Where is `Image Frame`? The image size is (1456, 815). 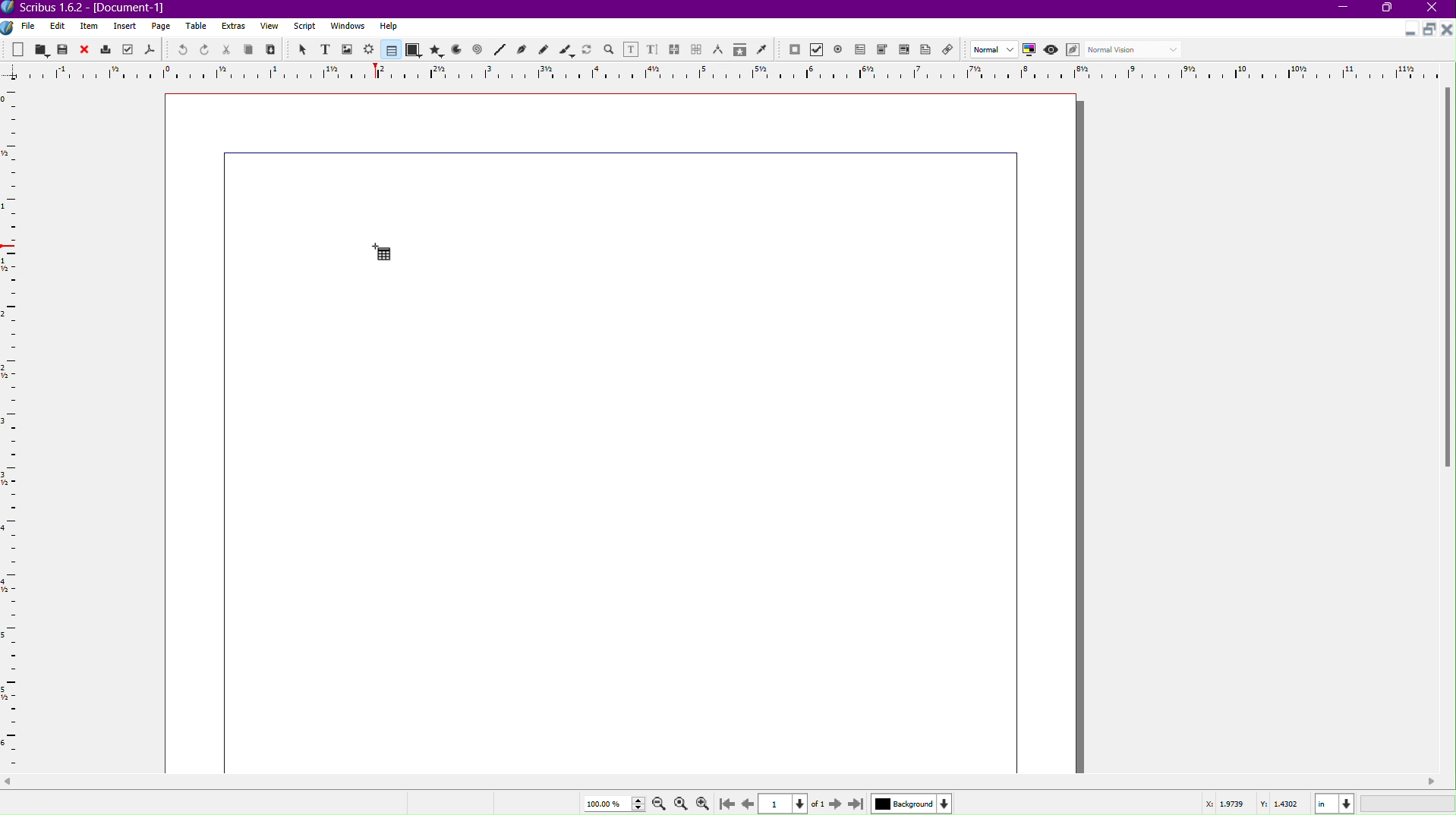 Image Frame is located at coordinates (348, 49).